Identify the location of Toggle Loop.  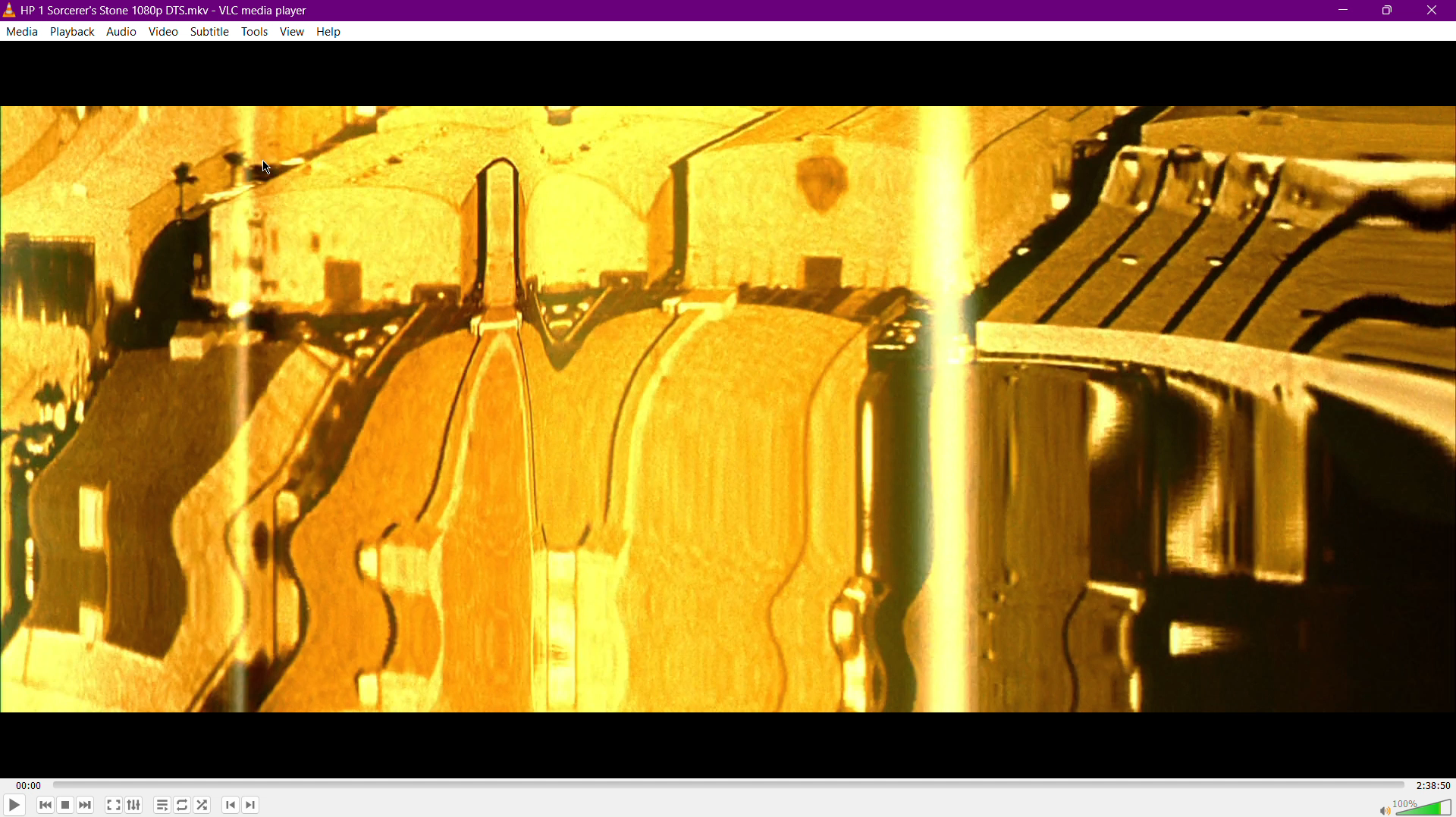
(183, 805).